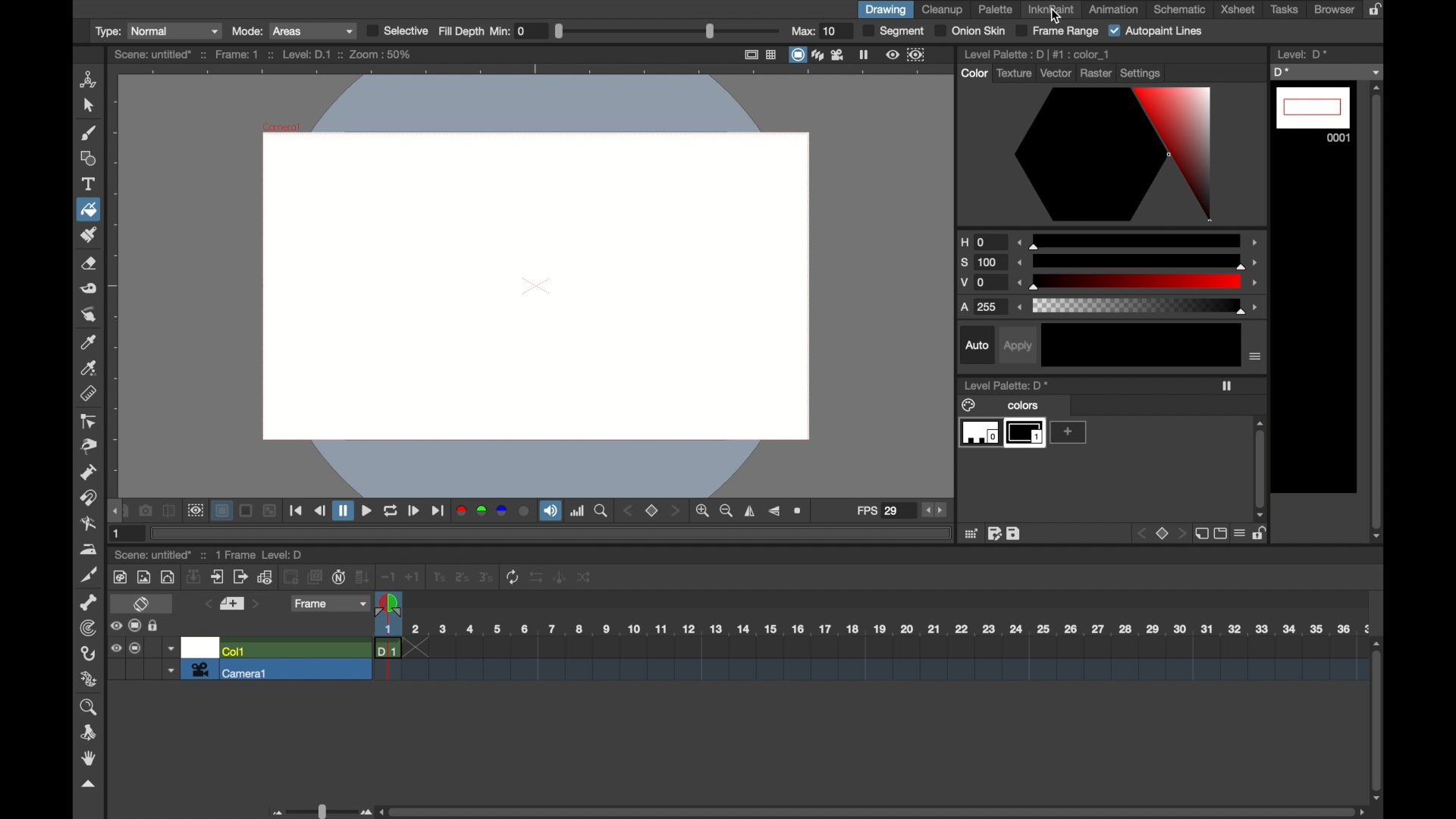 Image resolution: width=1456 pixels, height=819 pixels. I want to click on blender tool, so click(86, 524).